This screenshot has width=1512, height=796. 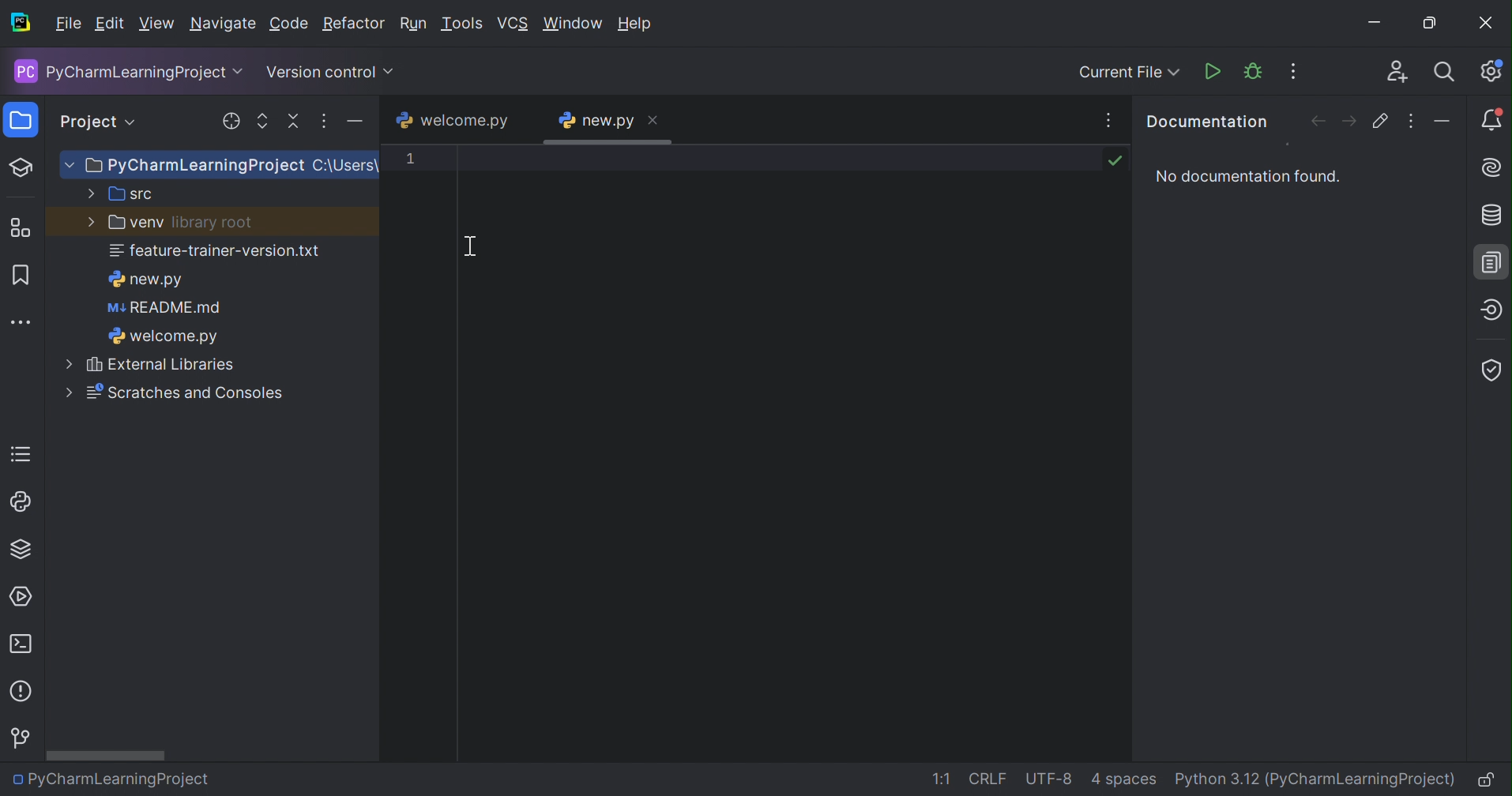 I want to click on Bookmarks, so click(x=18, y=273).